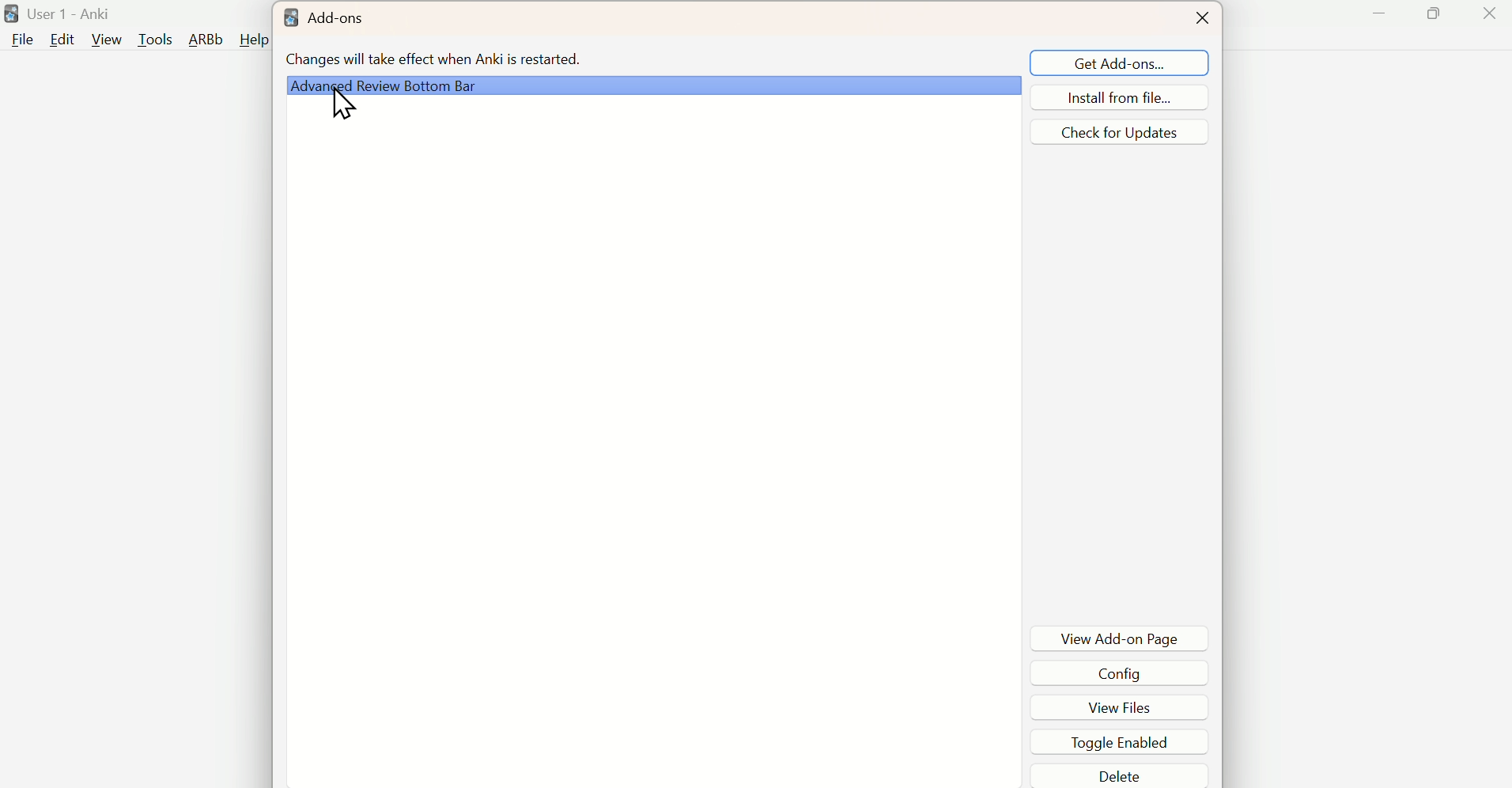 The height and width of the screenshot is (788, 1512). What do you see at coordinates (1438, 13) in the screenshot?
I see `Maximize` at bounding box center [1438, 13].